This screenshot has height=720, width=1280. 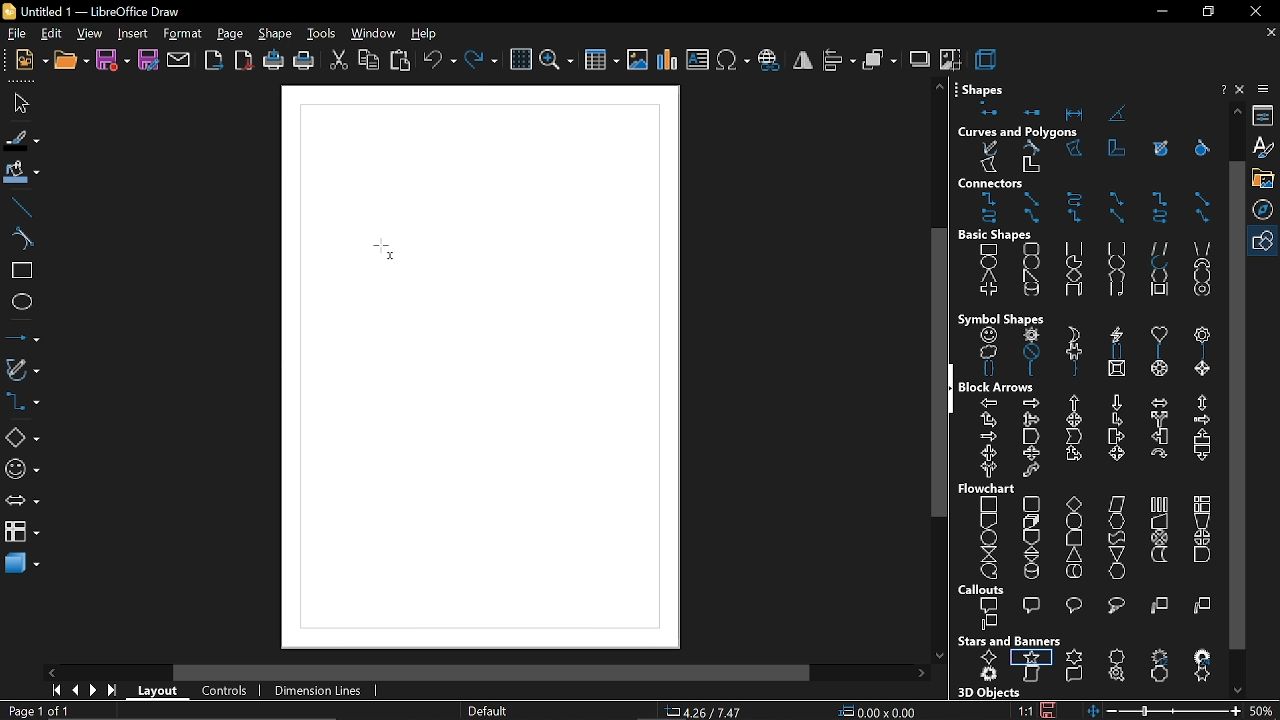 What do you see at coordinates (22, 404) in the screenshot?
I see `connectors` at bounding box center [22, 404].